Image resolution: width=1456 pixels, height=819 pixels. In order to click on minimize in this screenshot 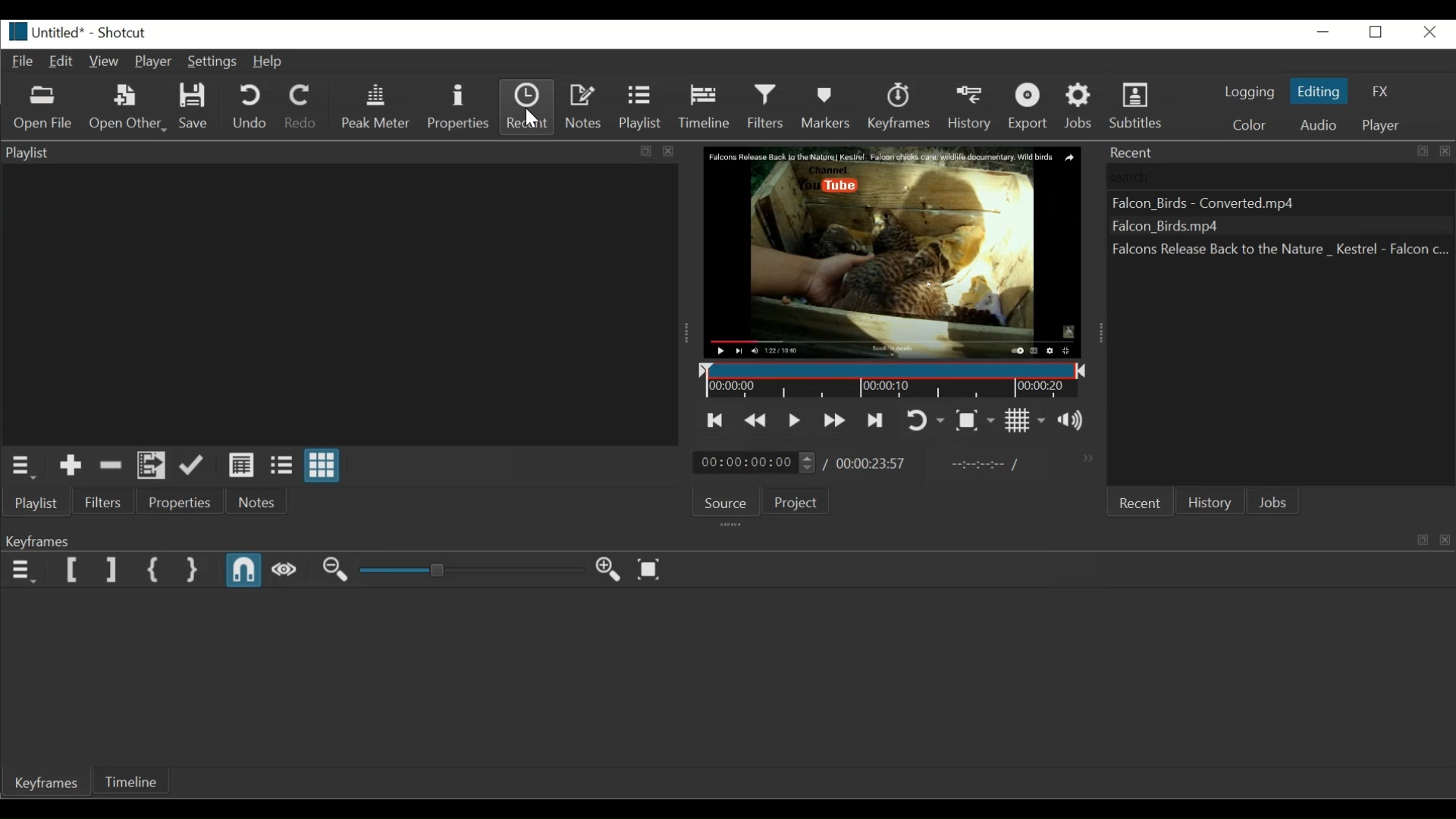, I will do `click(1310, 30)`.